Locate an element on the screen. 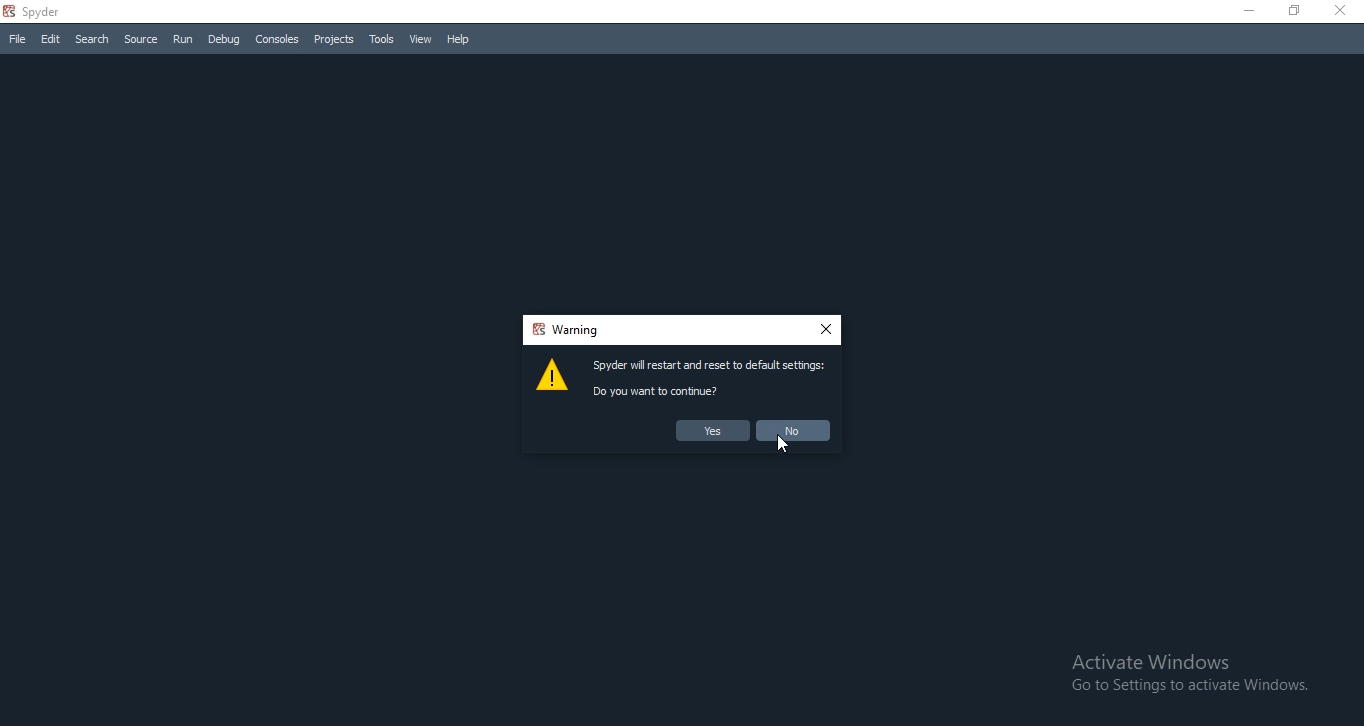 This screenshot has height=726, width=1364. Help is located at coordinates (460, 42).